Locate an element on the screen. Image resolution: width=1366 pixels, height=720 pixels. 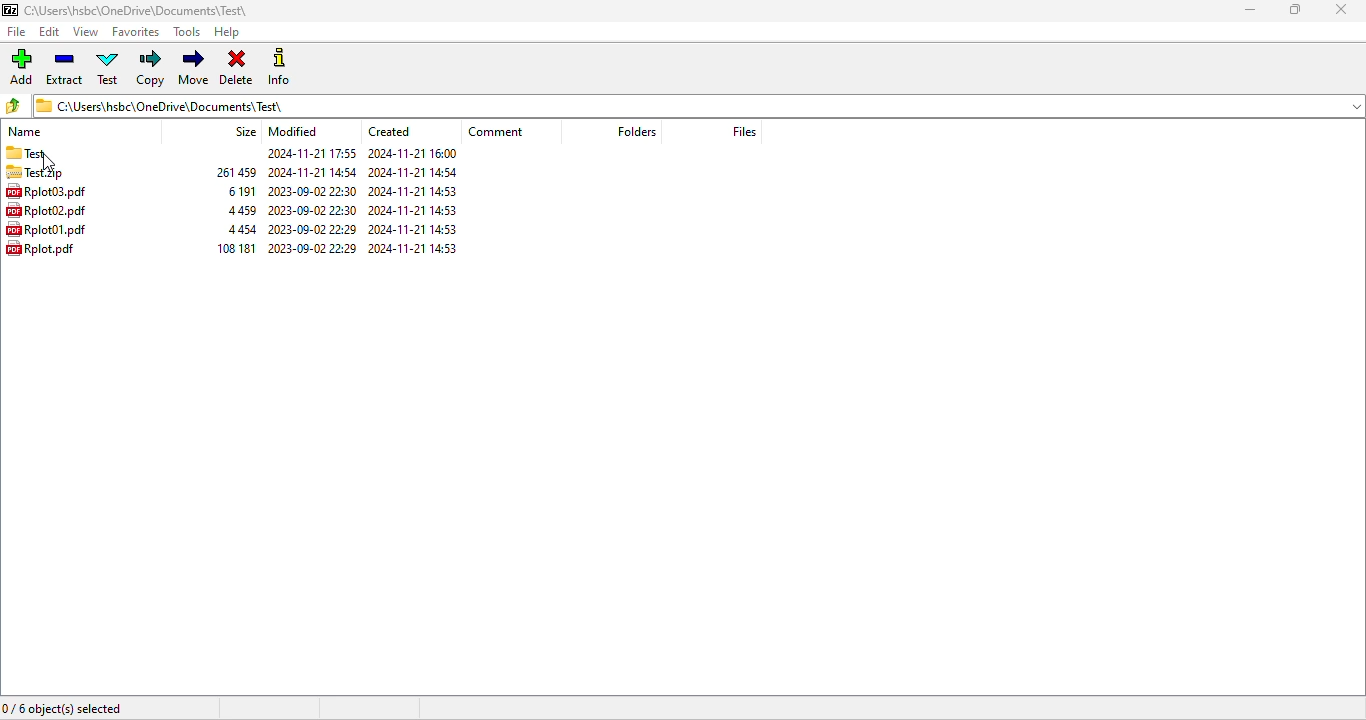
2024-11-21 14:53 is located at coordinates (415, 209).